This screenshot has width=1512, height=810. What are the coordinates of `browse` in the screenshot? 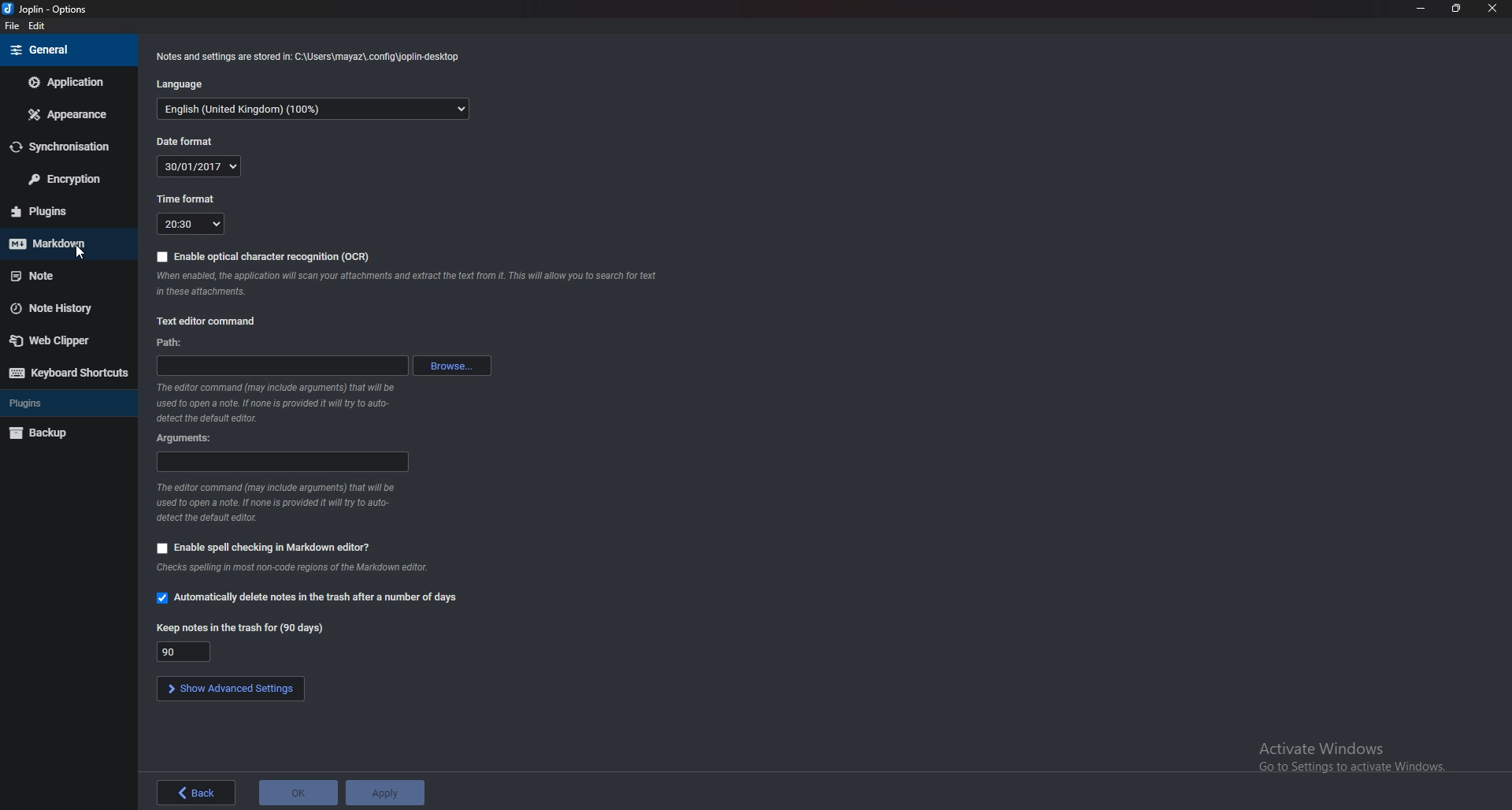 It's located at (455, 367).